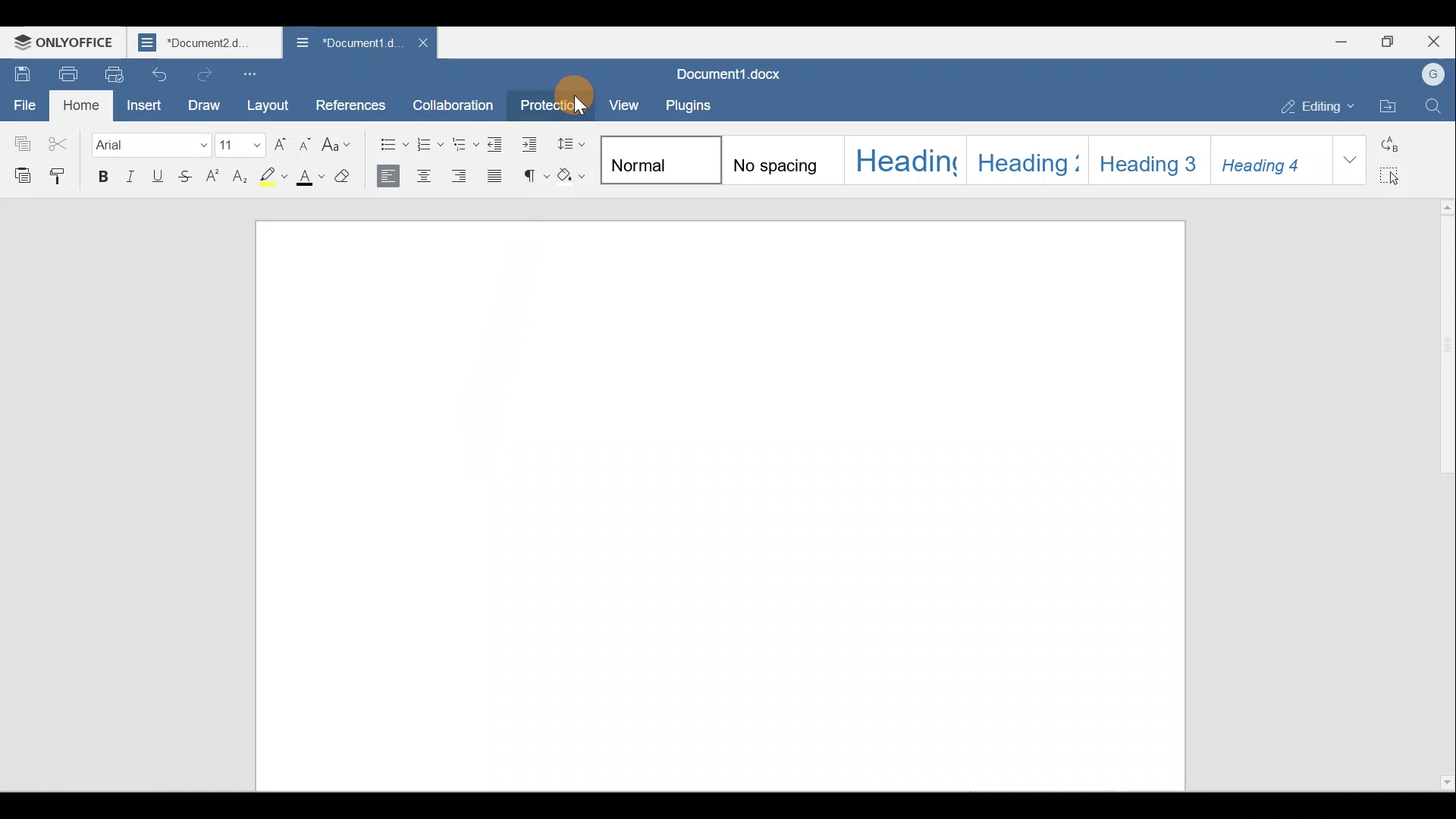 The height and width of the screenshot is (819, 1456). Describe the element at coordinates (716, 500) in the screenshot. I see `Working area` at that location.